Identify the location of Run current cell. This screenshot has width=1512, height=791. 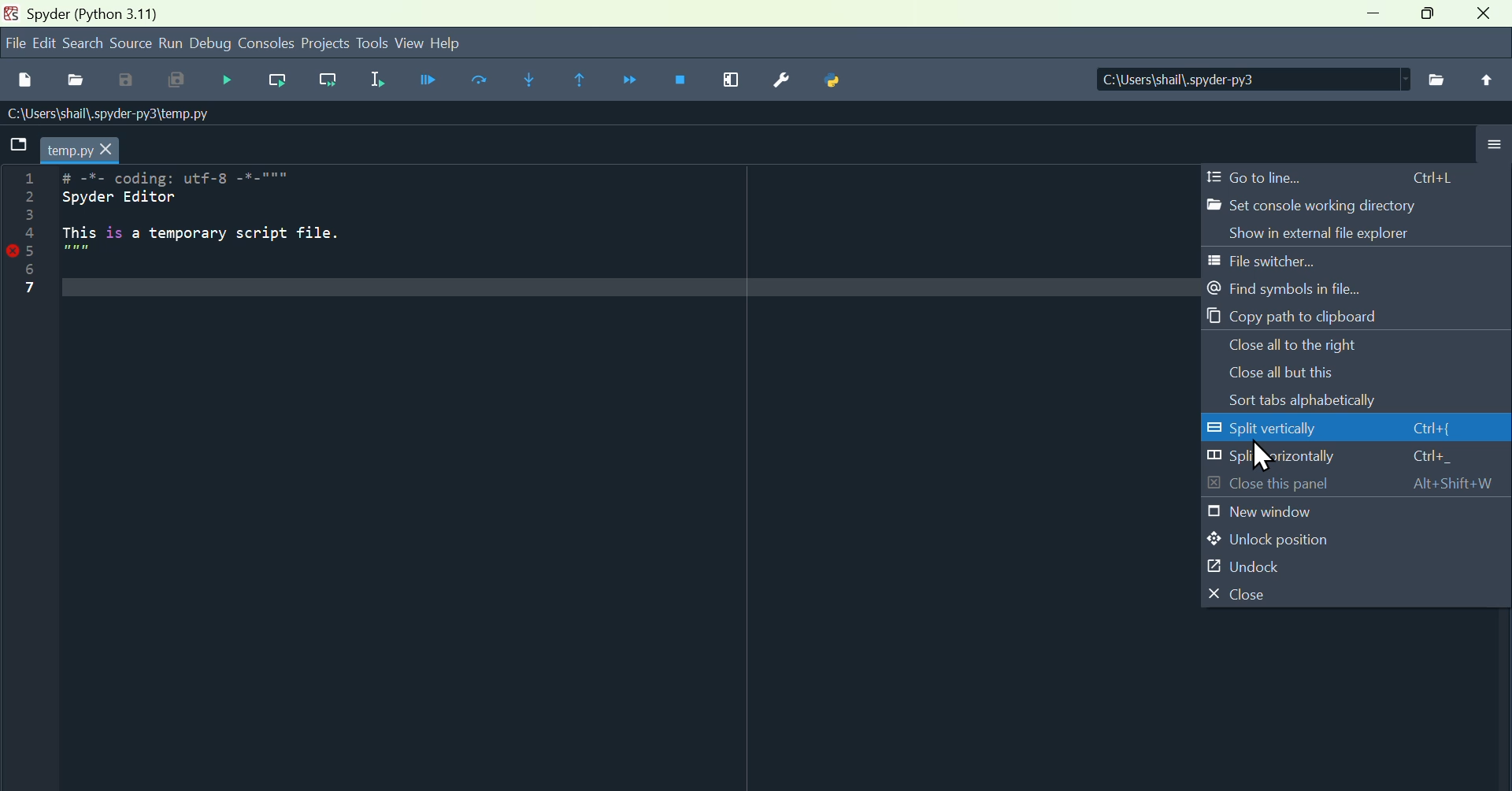
(480, 83).